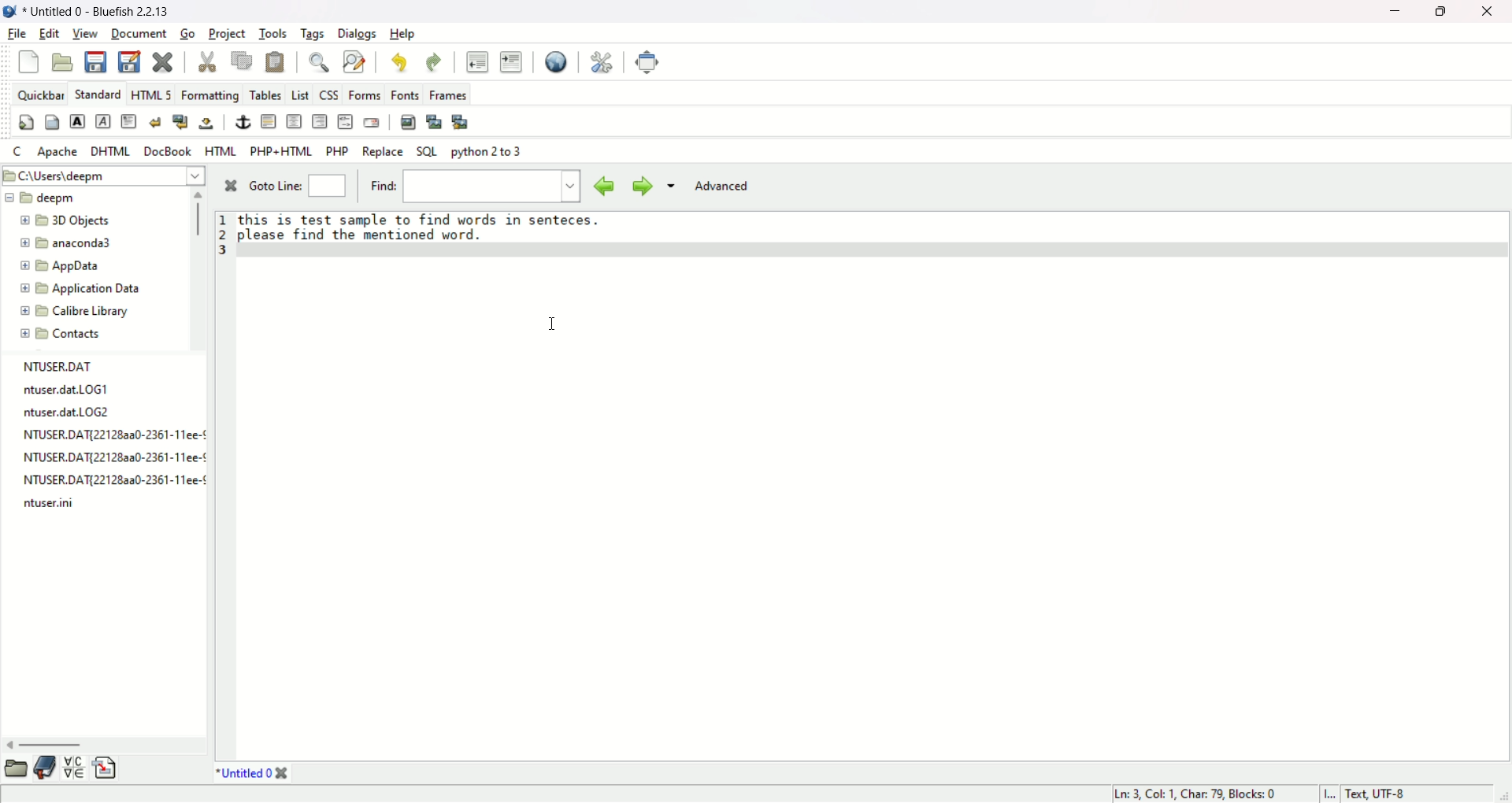  I want to click on document, so click(140, 34).